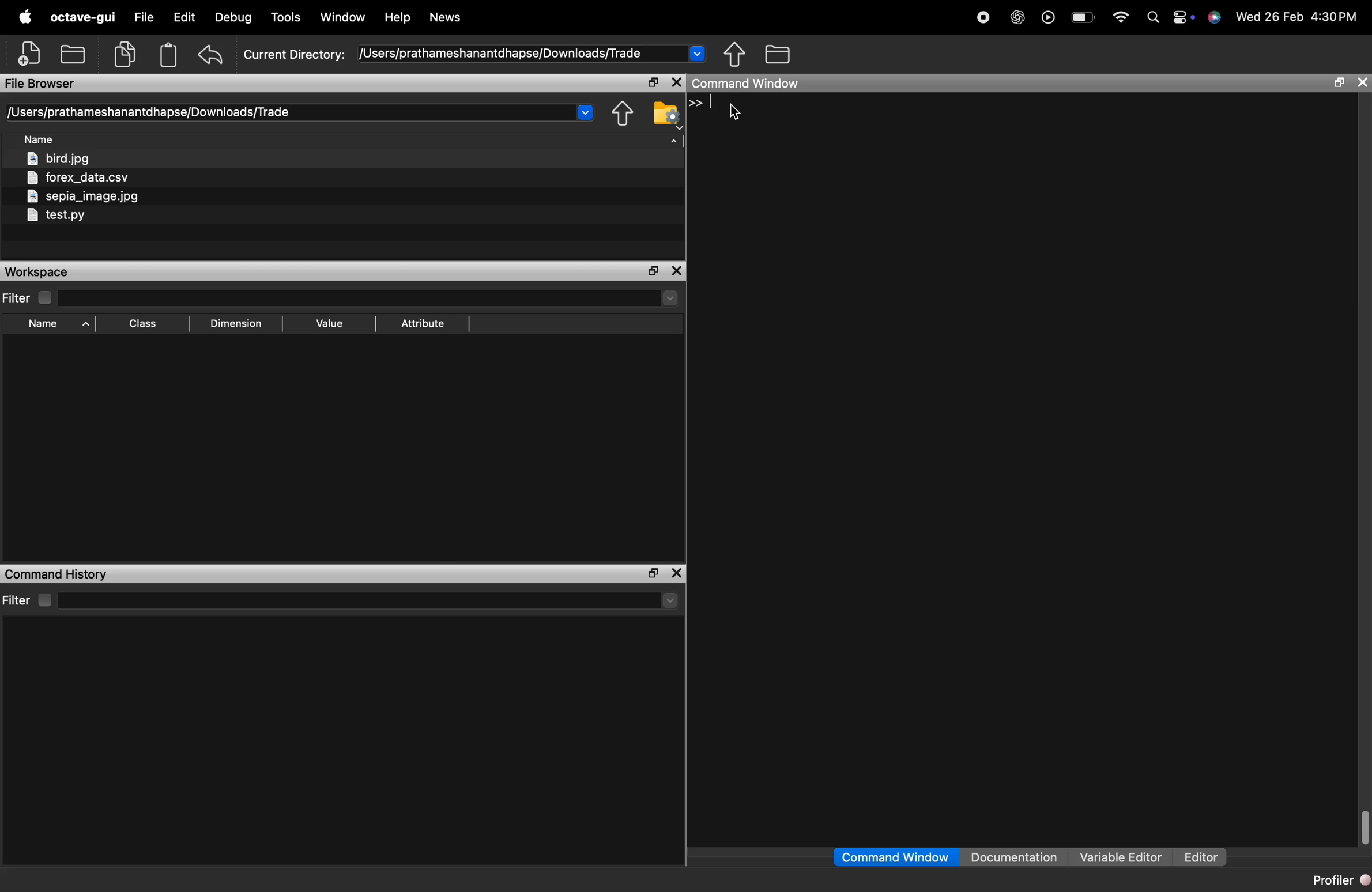 The image size is (1372, 892). What do you see at coordinates (168, 54) in the screenshot?
I see `Clipboard ` at bounding box center [168, 54].